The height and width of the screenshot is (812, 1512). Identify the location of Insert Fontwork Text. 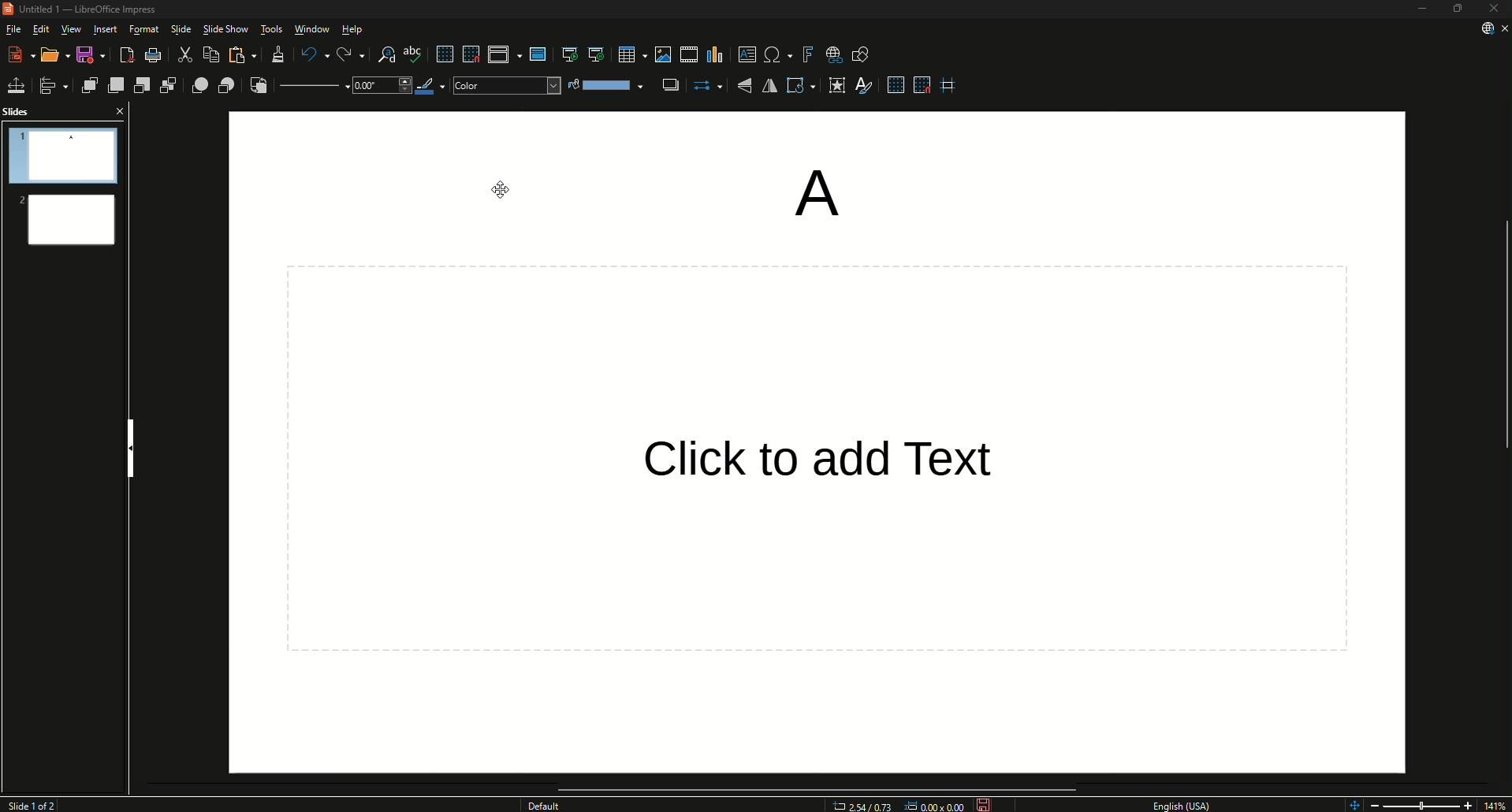
(807, 54).